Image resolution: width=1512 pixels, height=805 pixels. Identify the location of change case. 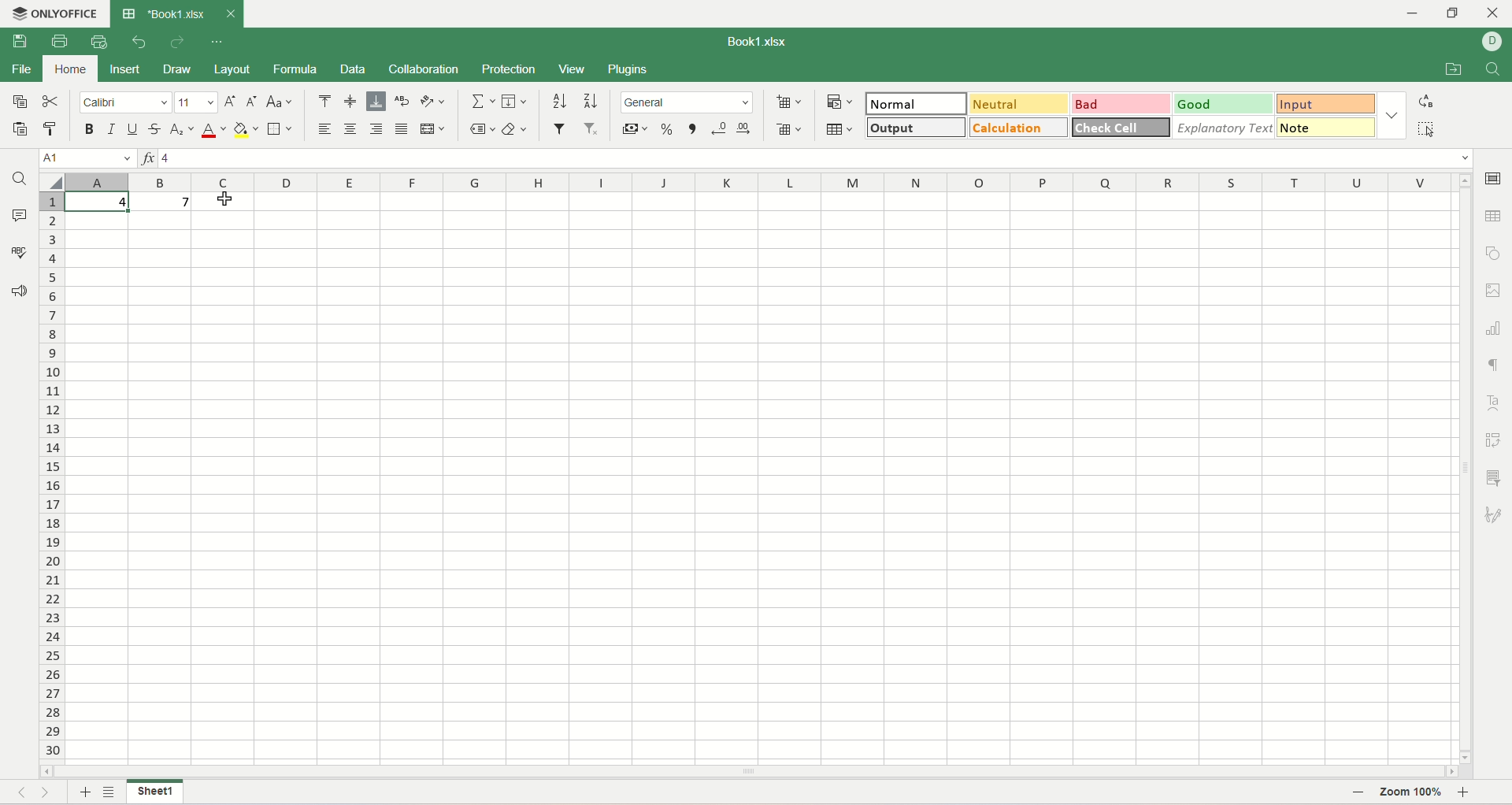
(278, 102).